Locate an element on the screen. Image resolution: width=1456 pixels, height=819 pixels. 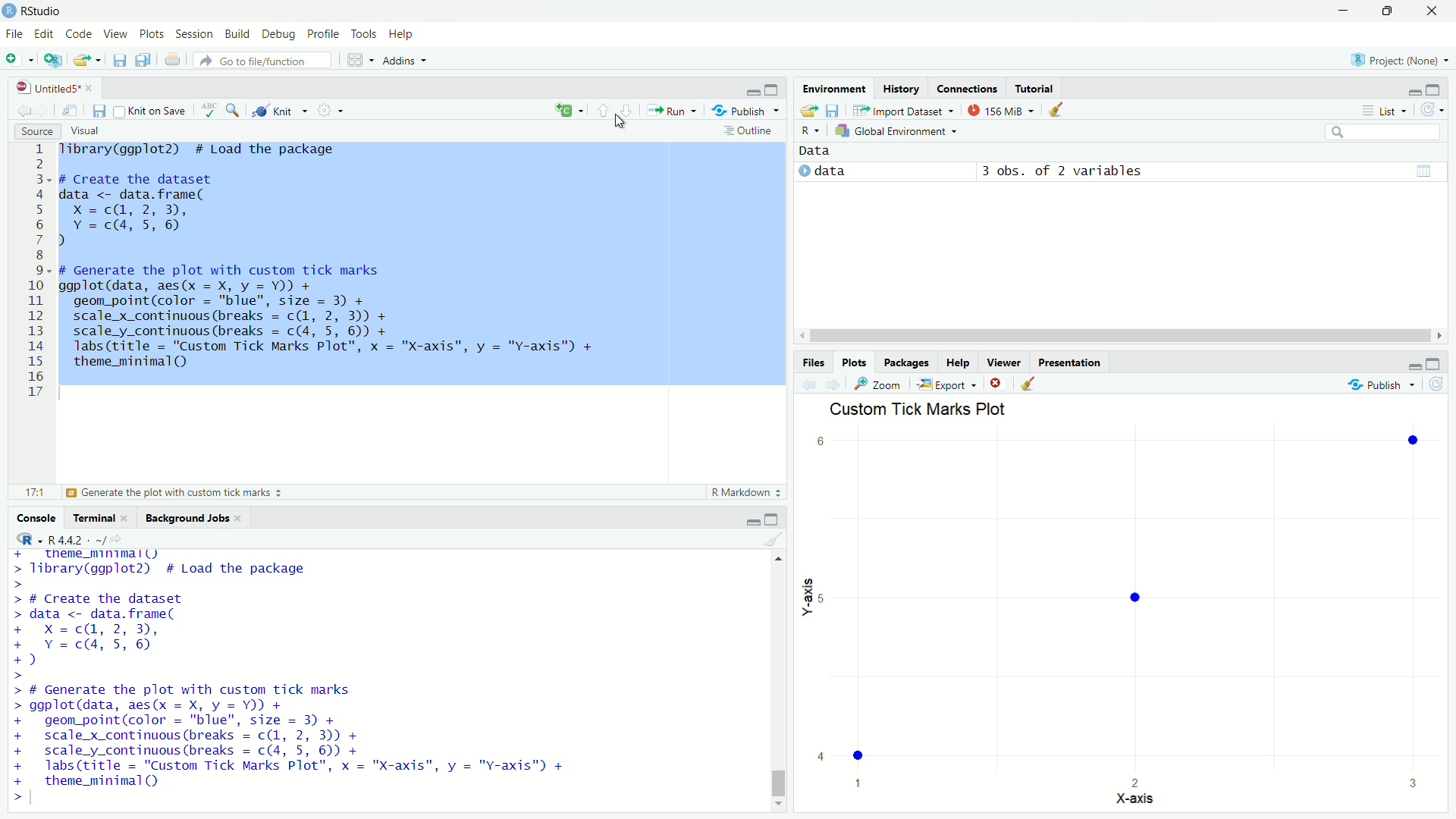
move up is located at coordinates (780, 563).